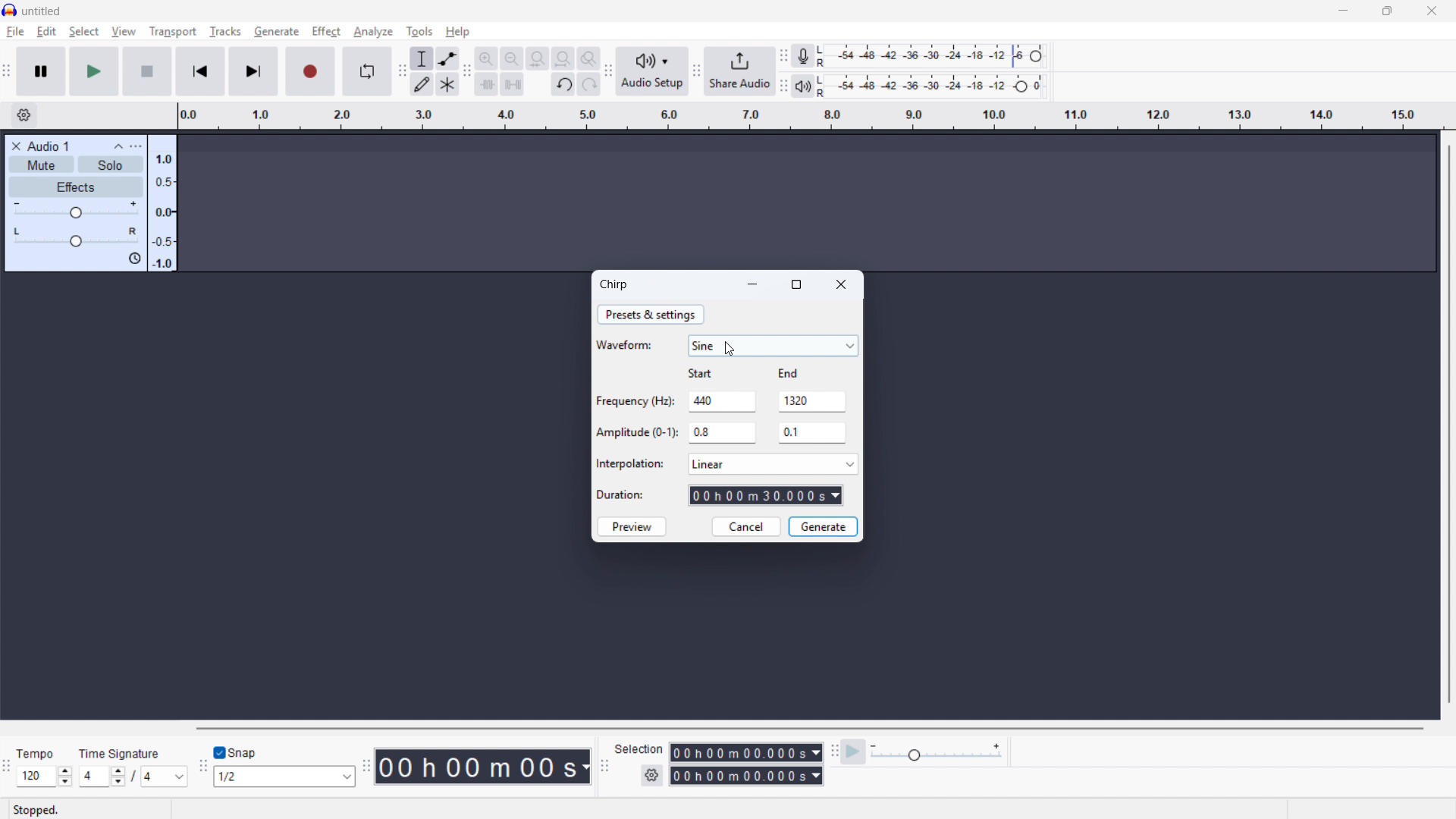 The image size is (1456, 819). I want to click on Silence audio selection , so click(512, 83).